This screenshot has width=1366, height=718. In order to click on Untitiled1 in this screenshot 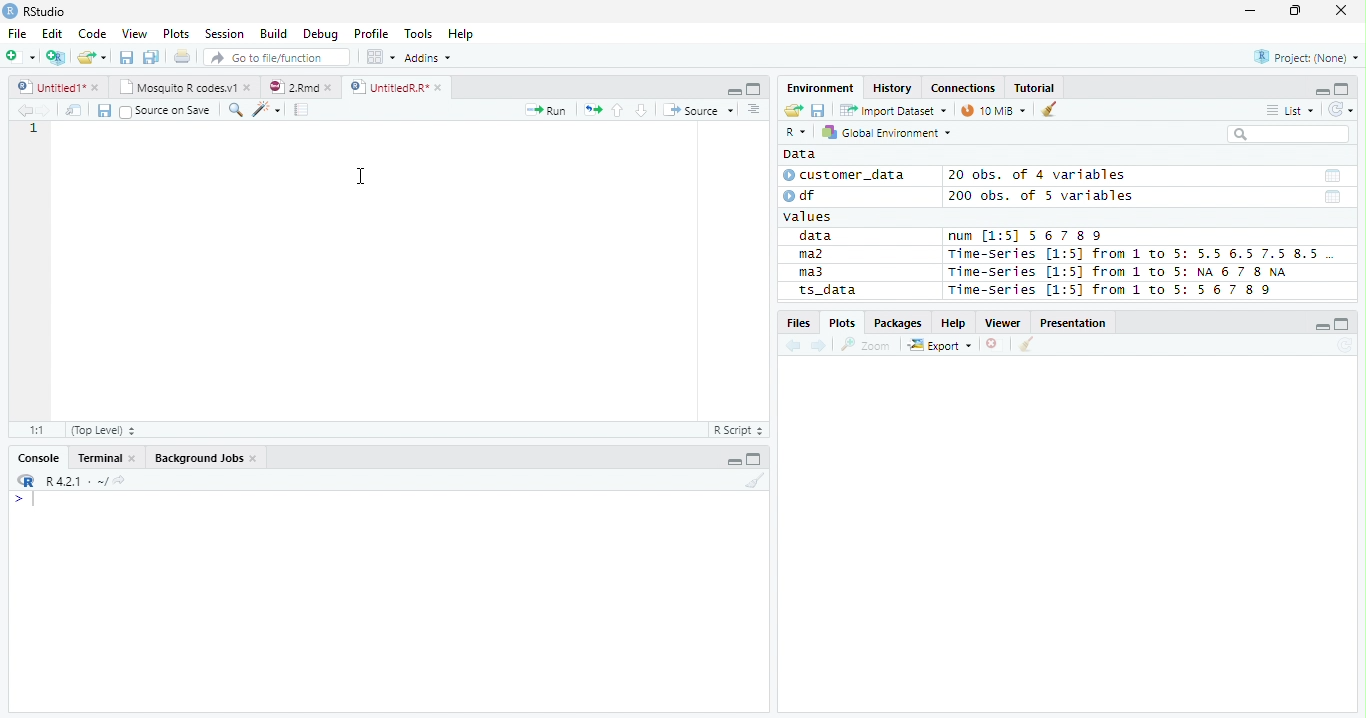, I will do `click(57, 87)`.